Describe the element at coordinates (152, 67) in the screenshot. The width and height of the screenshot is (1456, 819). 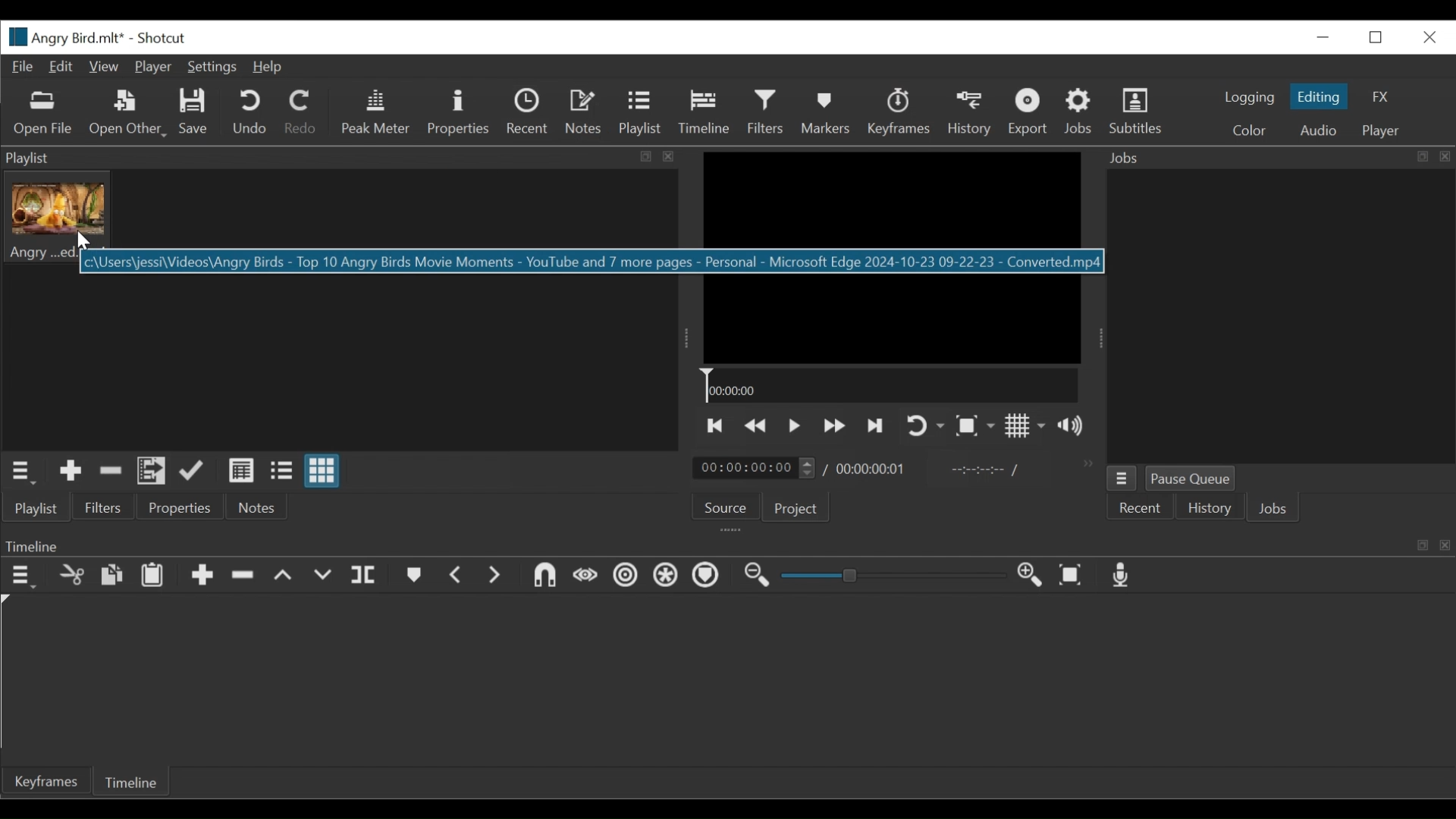
I see `Player` at that location.